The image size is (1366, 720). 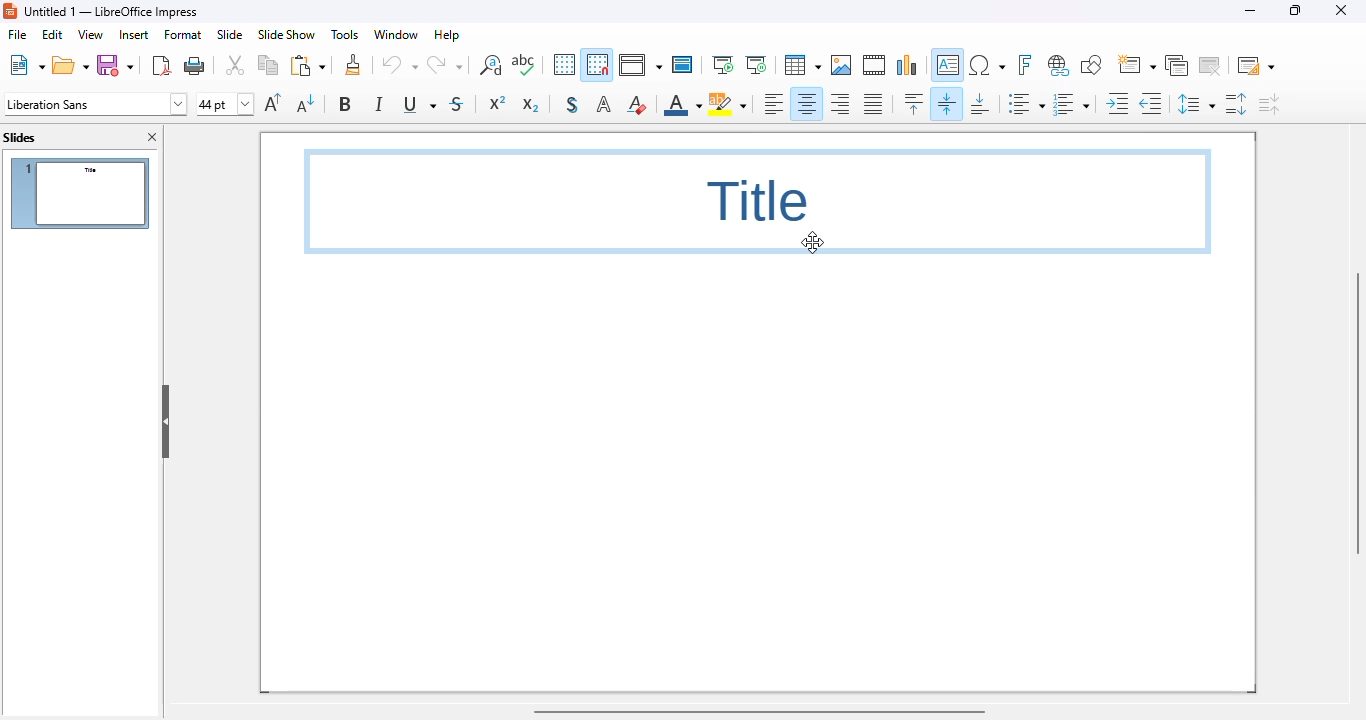 I want to click on insert hyperlink, so click(x=1059, y=66).